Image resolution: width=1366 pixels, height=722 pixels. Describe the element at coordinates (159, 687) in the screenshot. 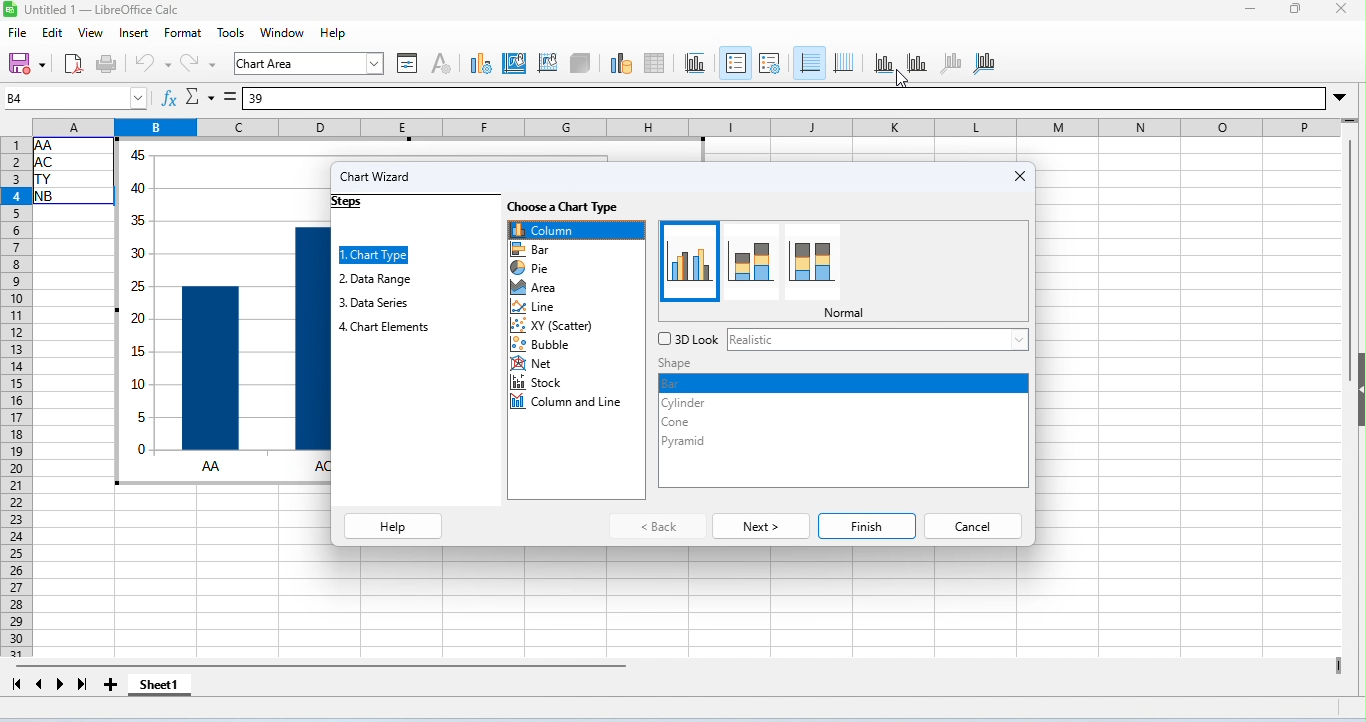

I see `shhet1` at that location.